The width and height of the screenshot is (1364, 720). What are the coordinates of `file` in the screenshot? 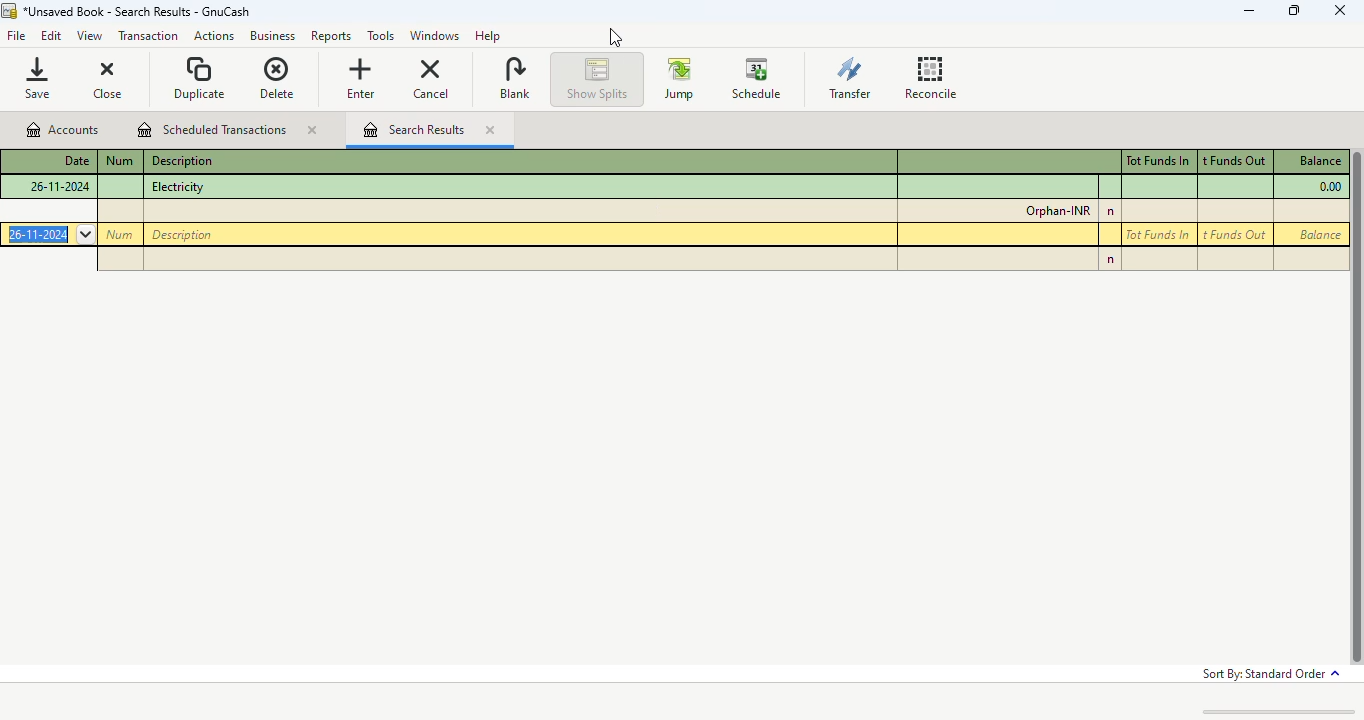 It's located at (17, 35).